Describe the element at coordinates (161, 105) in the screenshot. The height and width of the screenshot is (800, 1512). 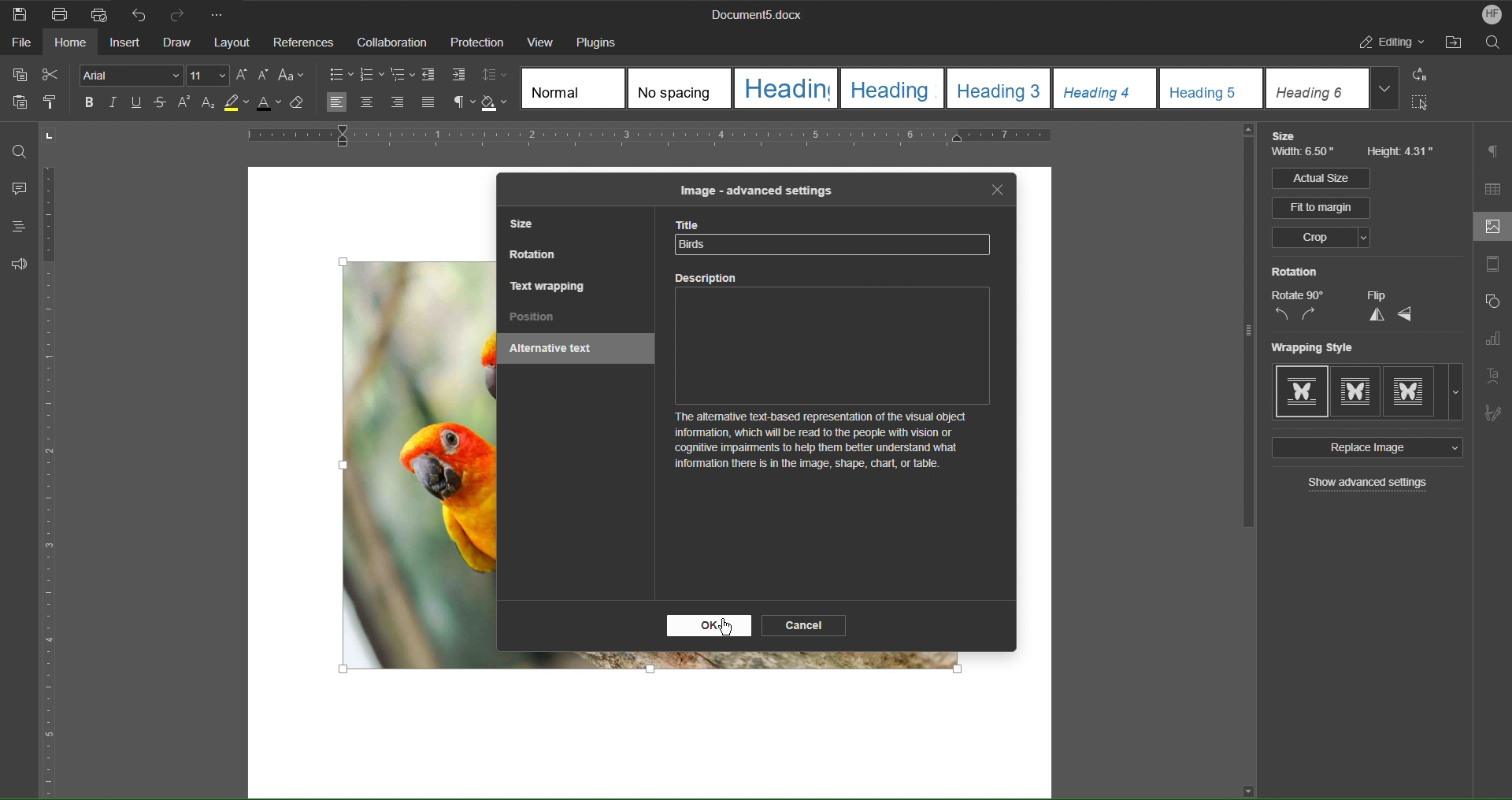
I see `Strikethrough` at that location.